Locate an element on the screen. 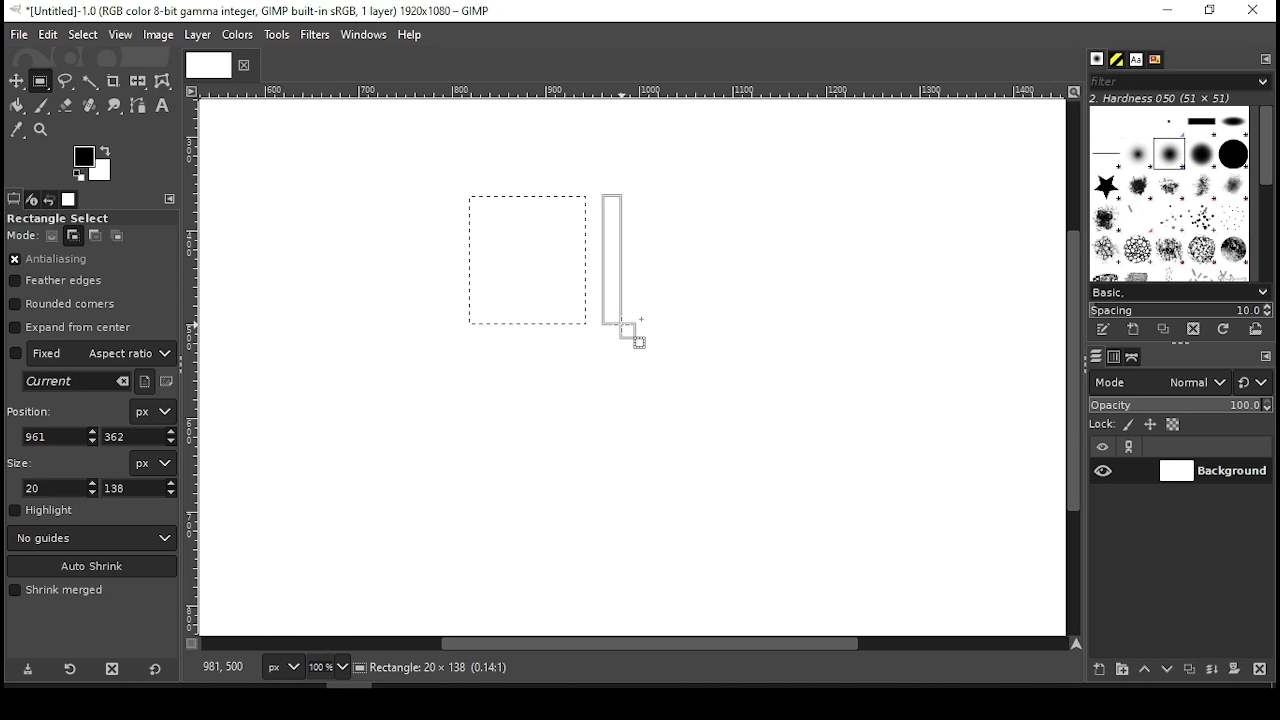 The image size is (1280, 720). images is located at coordinates (70, 200).